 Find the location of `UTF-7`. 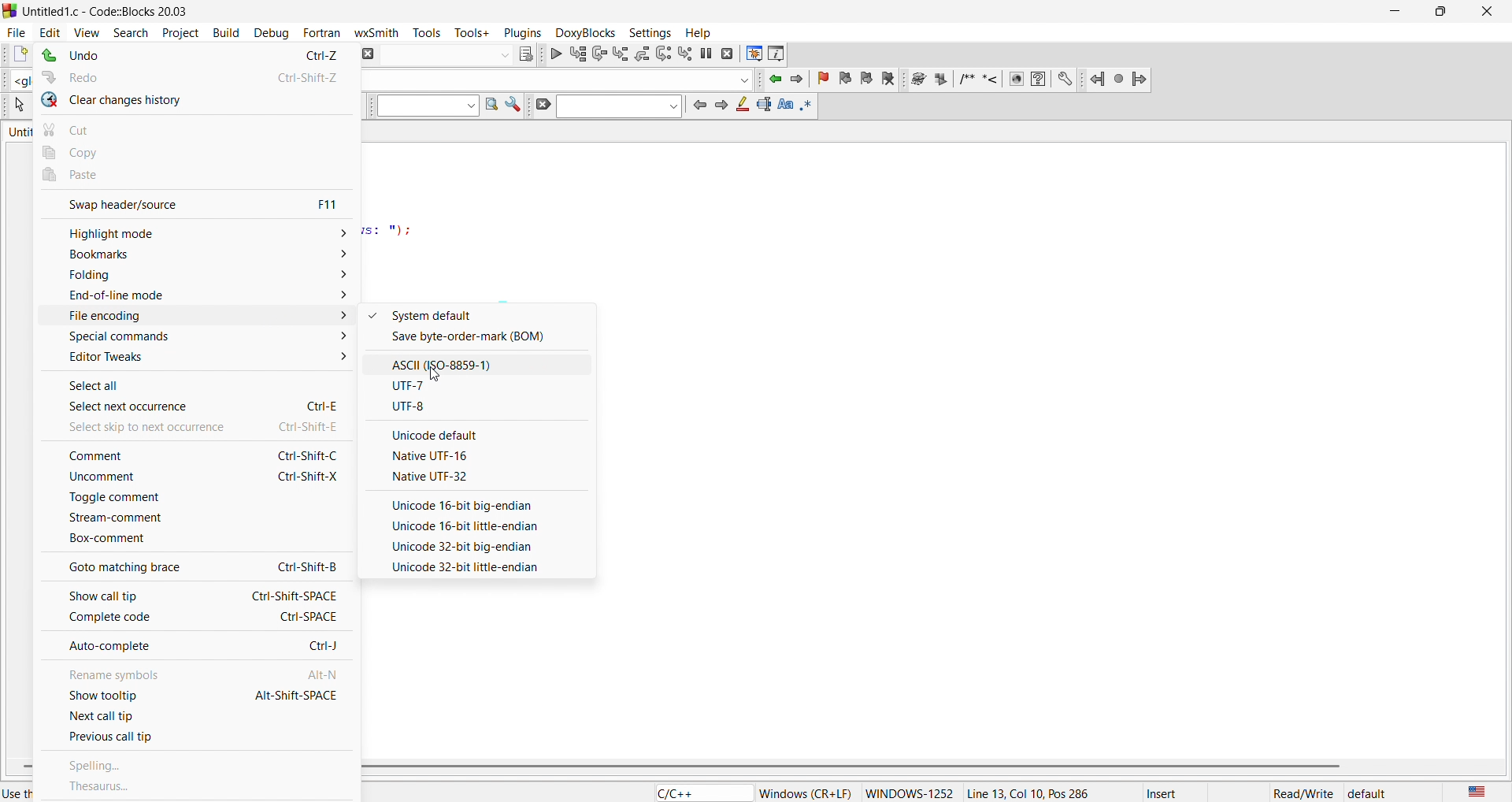

UTF-7 is located at coordinates (479, 385).